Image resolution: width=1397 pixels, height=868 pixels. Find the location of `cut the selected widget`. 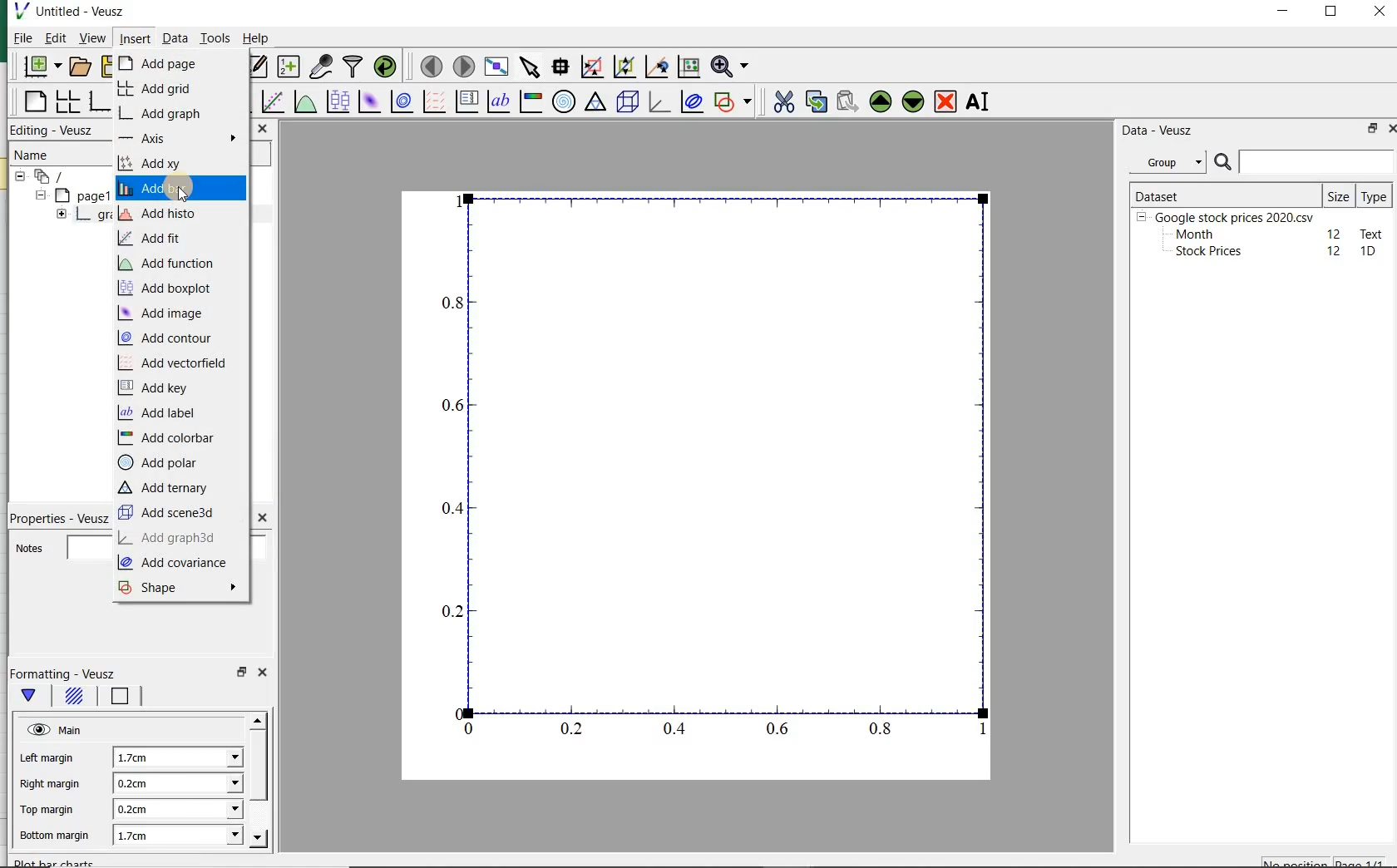

cut the selected widget is located at coordinates (785, 104).